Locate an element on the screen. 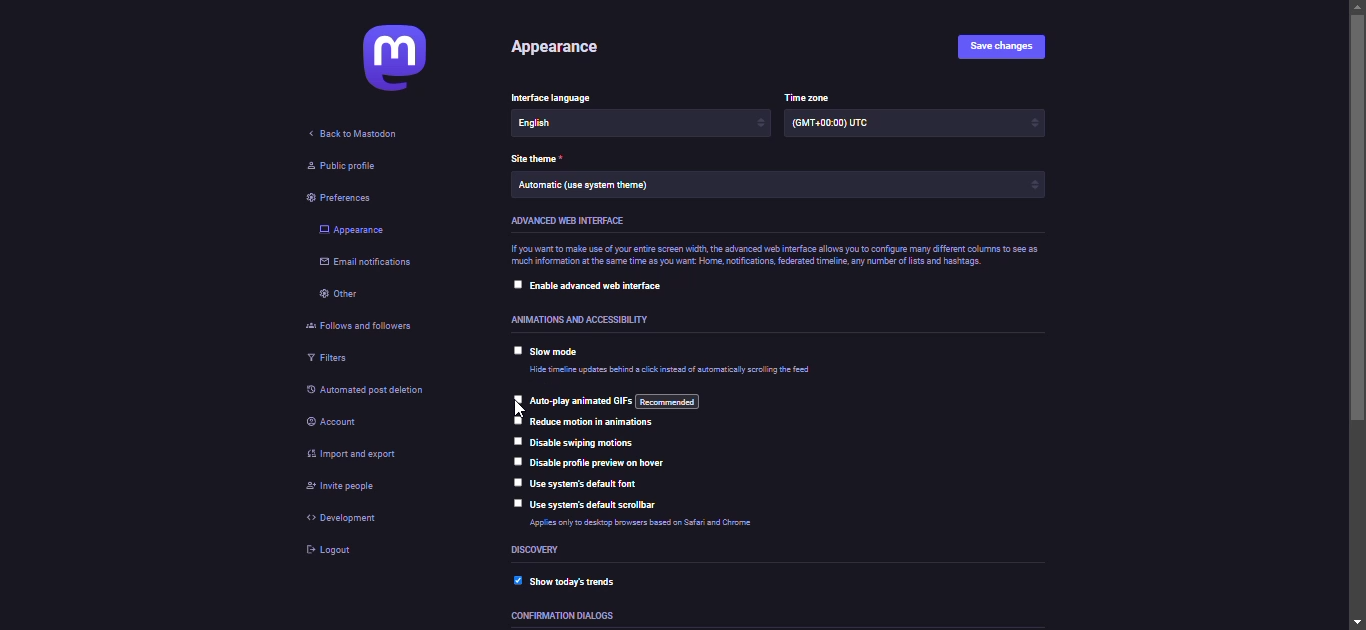 Image resolution: width=1366 pixels, height=630 pixels. save changes is located at coordinates (1010, 46).